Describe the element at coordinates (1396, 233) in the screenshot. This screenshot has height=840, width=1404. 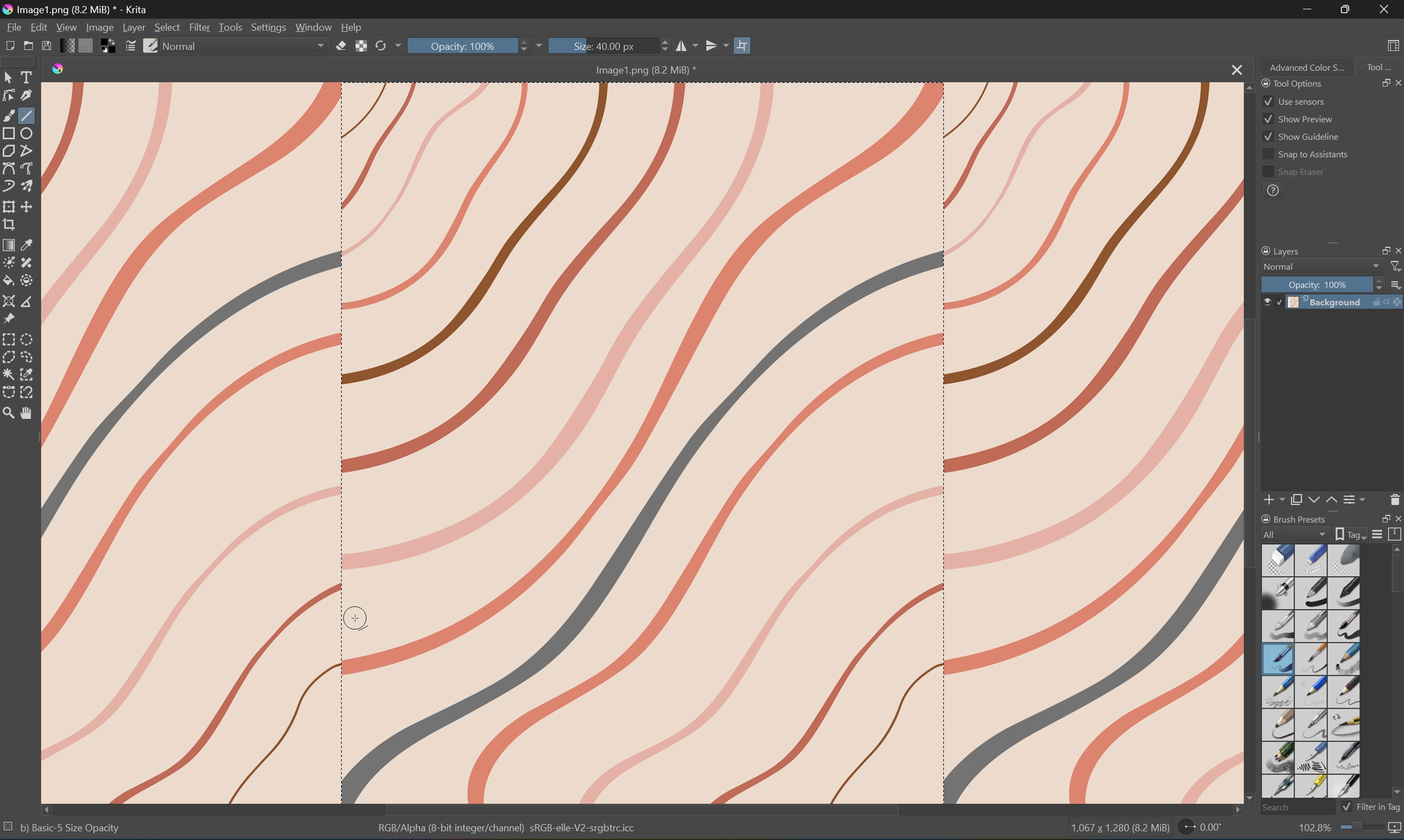
I see `Scroll Right` at that location.